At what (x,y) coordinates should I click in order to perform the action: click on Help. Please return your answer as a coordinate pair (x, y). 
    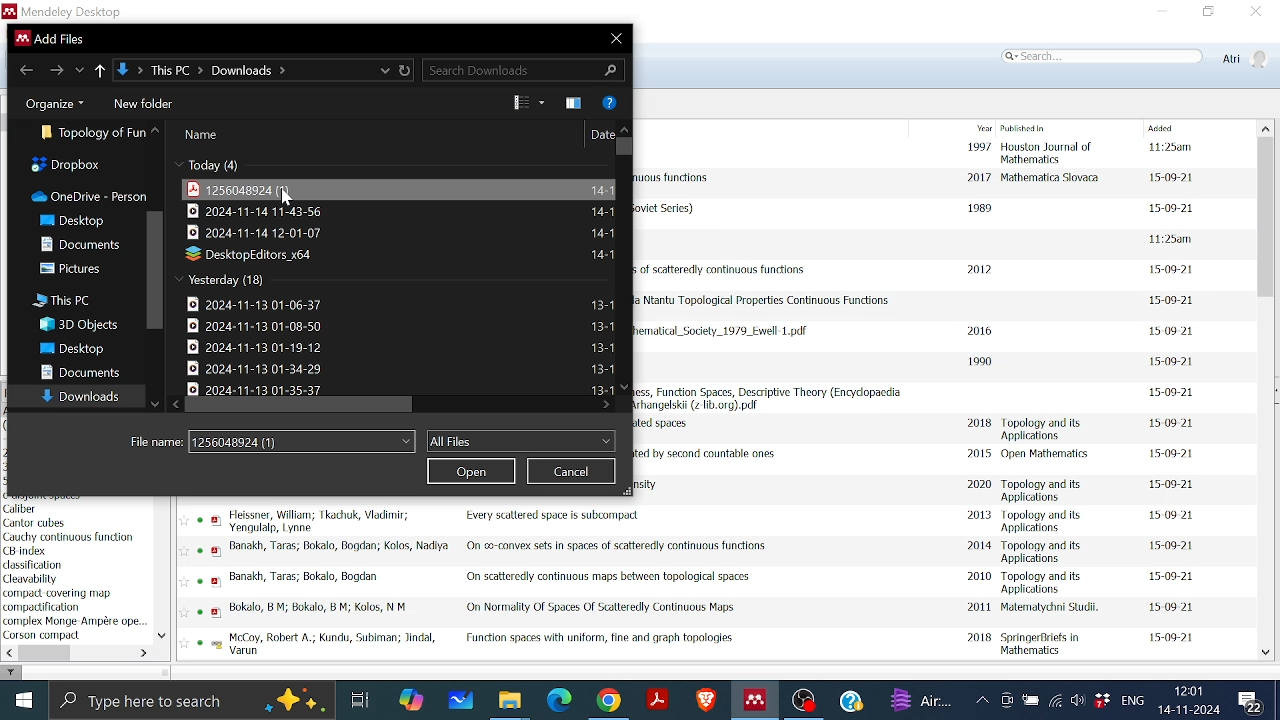
    Looking at the image, I should click on (855, 701).